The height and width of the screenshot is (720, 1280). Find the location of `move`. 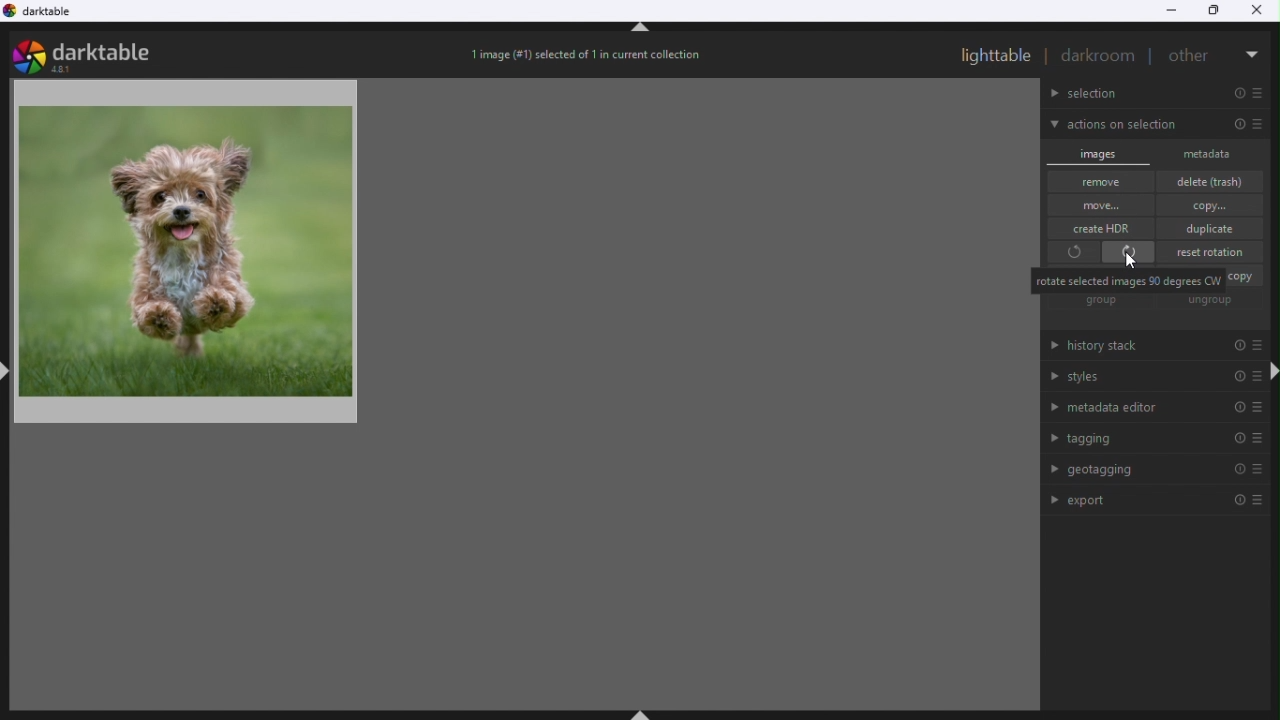

move is located at coordinates (1101, 205).